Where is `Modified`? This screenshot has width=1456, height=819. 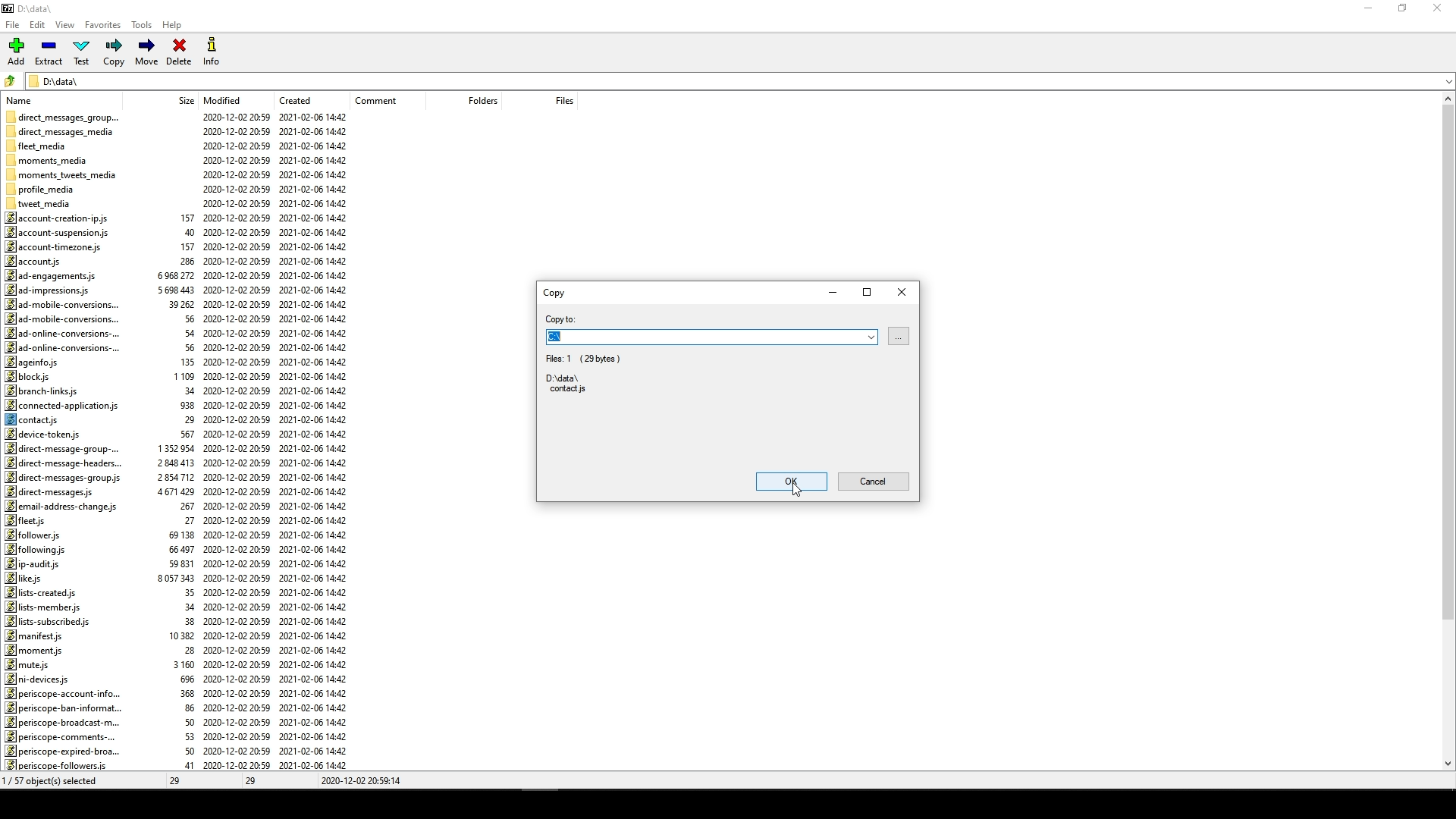 Modified is located at coordinates (226, 99).